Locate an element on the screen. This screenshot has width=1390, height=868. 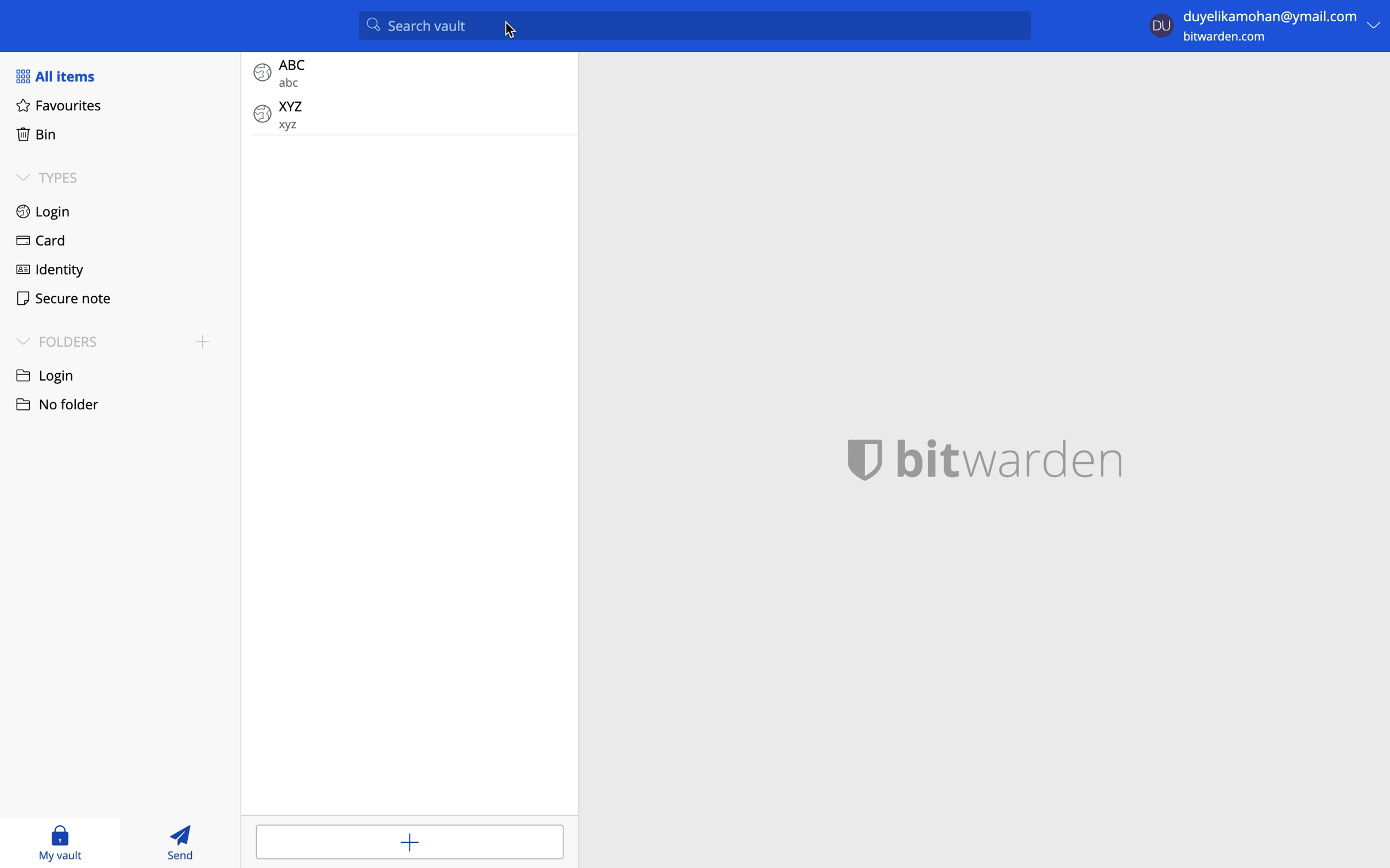
my vault is located at coordinates (59, 845).